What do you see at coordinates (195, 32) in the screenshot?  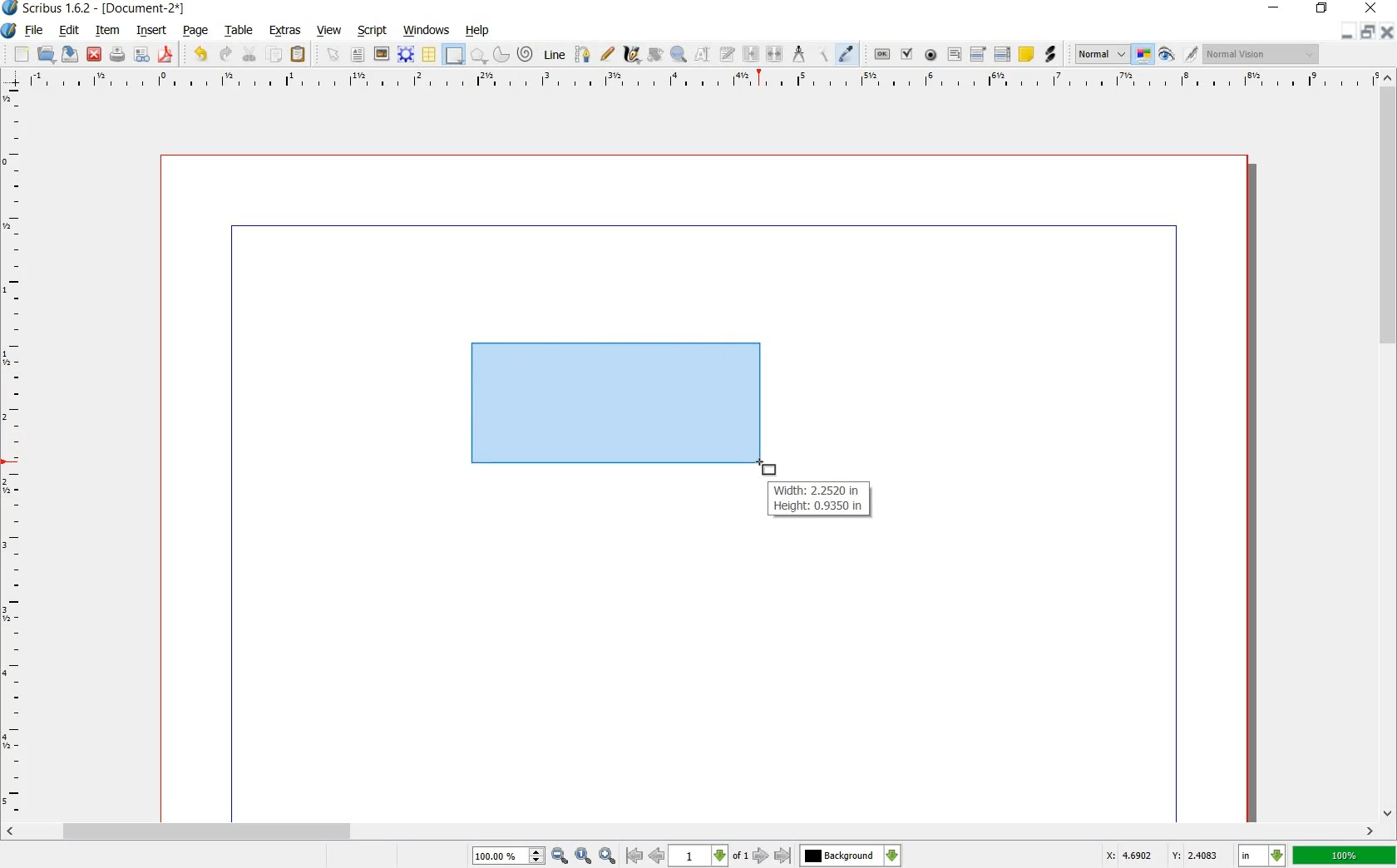 I see `PAGE` at bounding box center [195, 32].